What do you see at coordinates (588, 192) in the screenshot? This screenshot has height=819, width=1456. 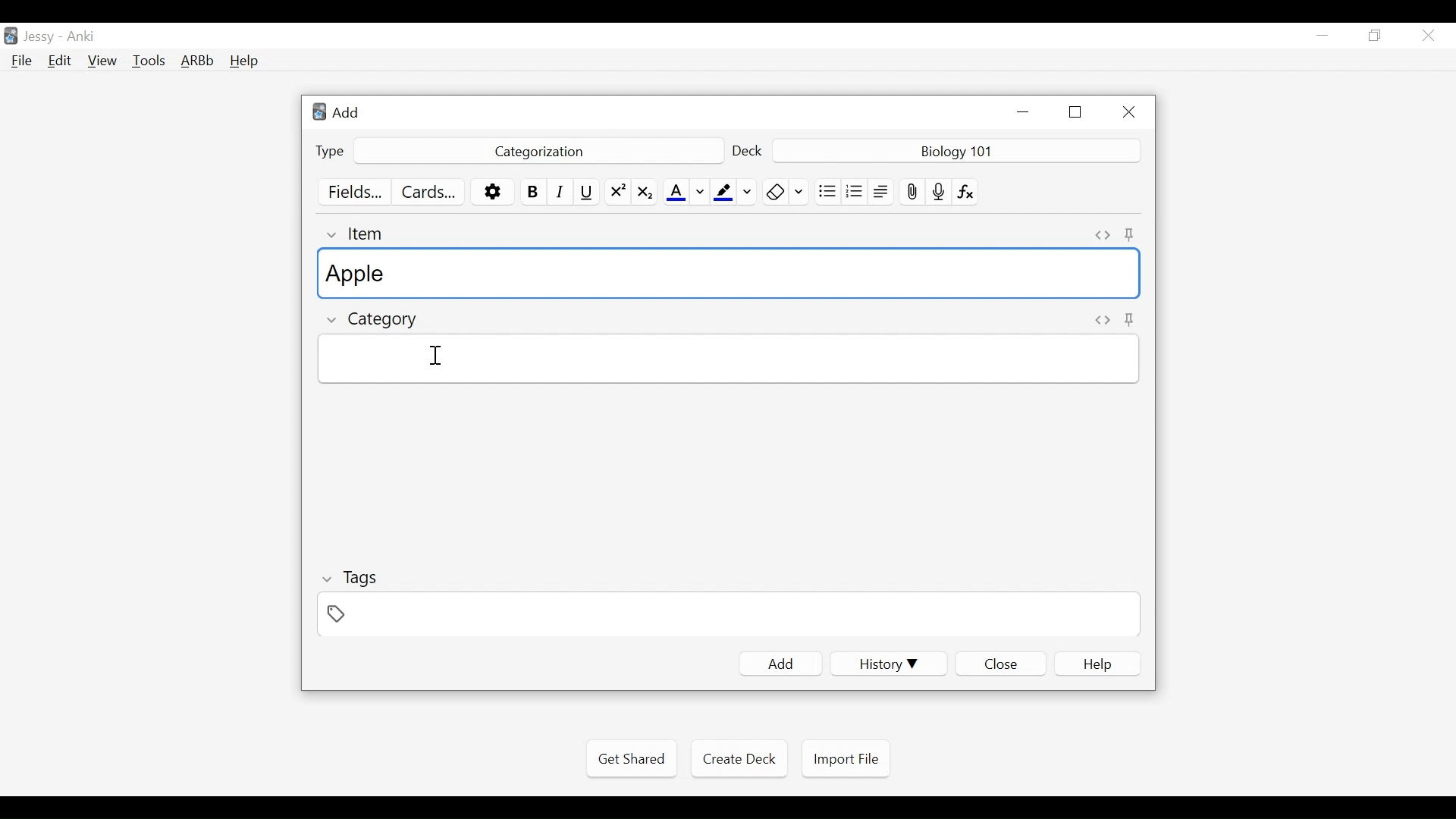 I see `Underline` at bounding box center [588, 192].